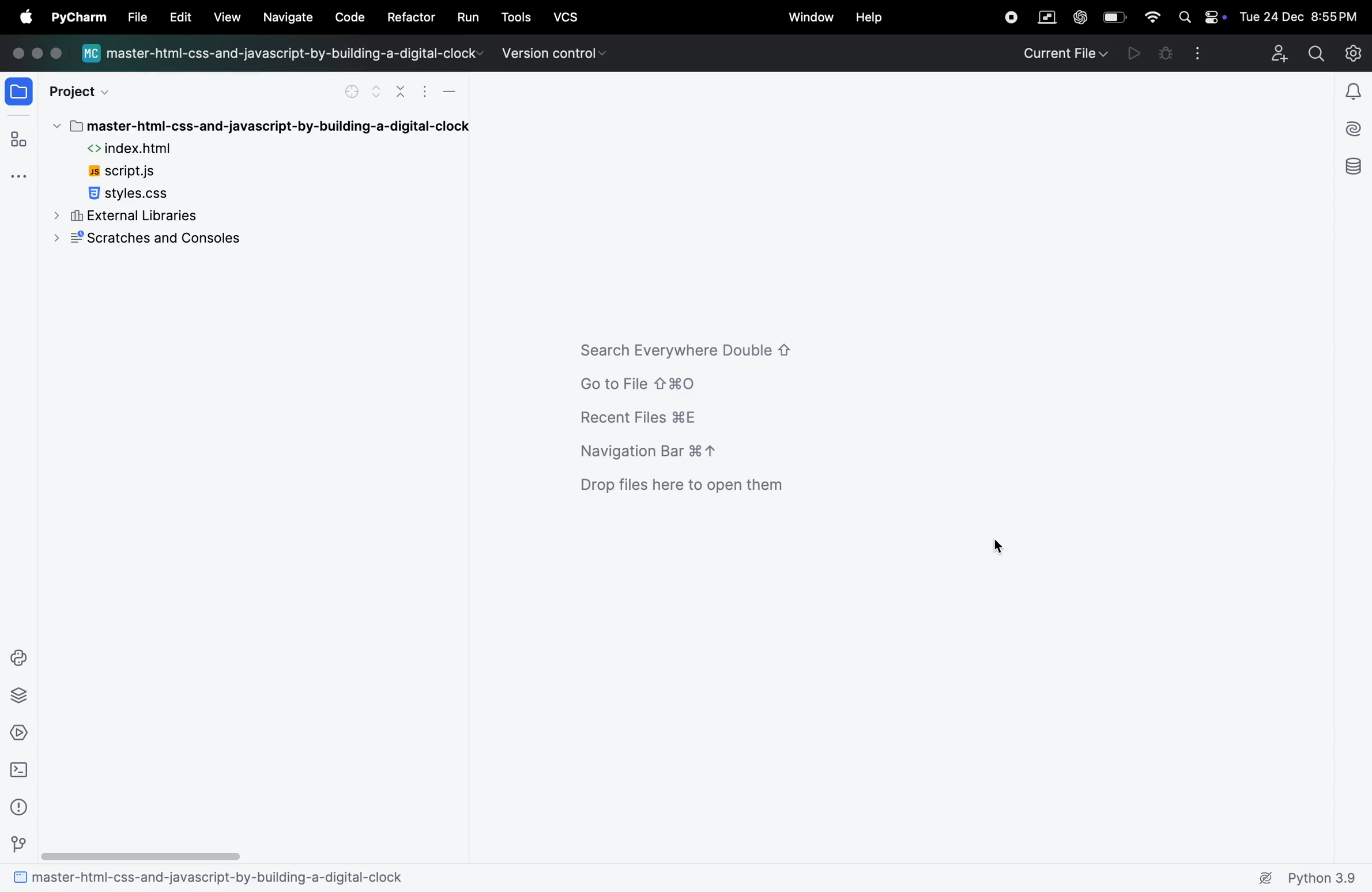 The width and height of the screenshot is (1372, 892). Describe the element at coordinates (402, 91) in the screenshot. I see `remove selected` at that location.